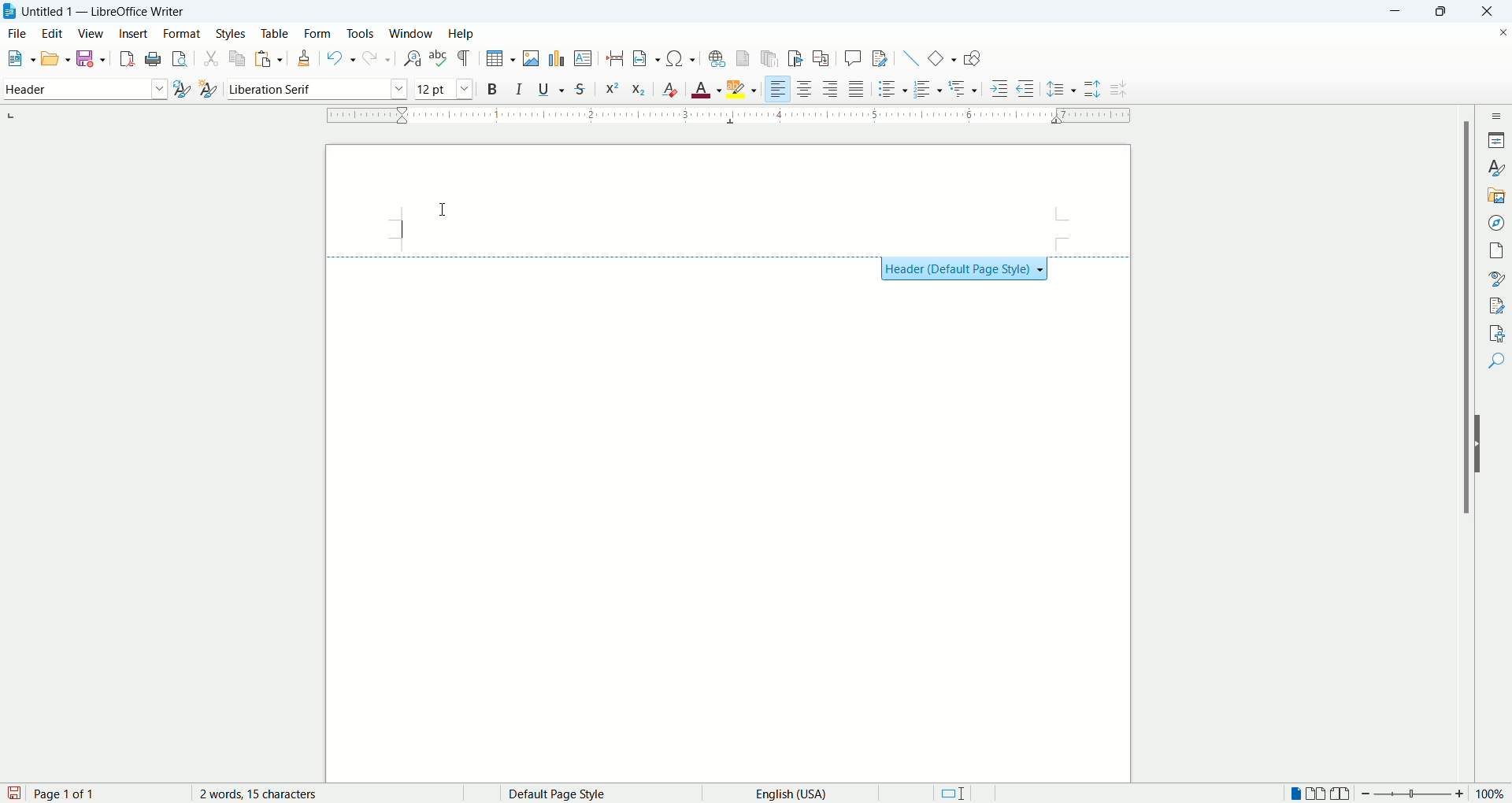 This screenshot has width=1512, height=803. Describe the element at coordinates (1462, 444) in the screenshot. I see `vertical scroll bar` at that location.